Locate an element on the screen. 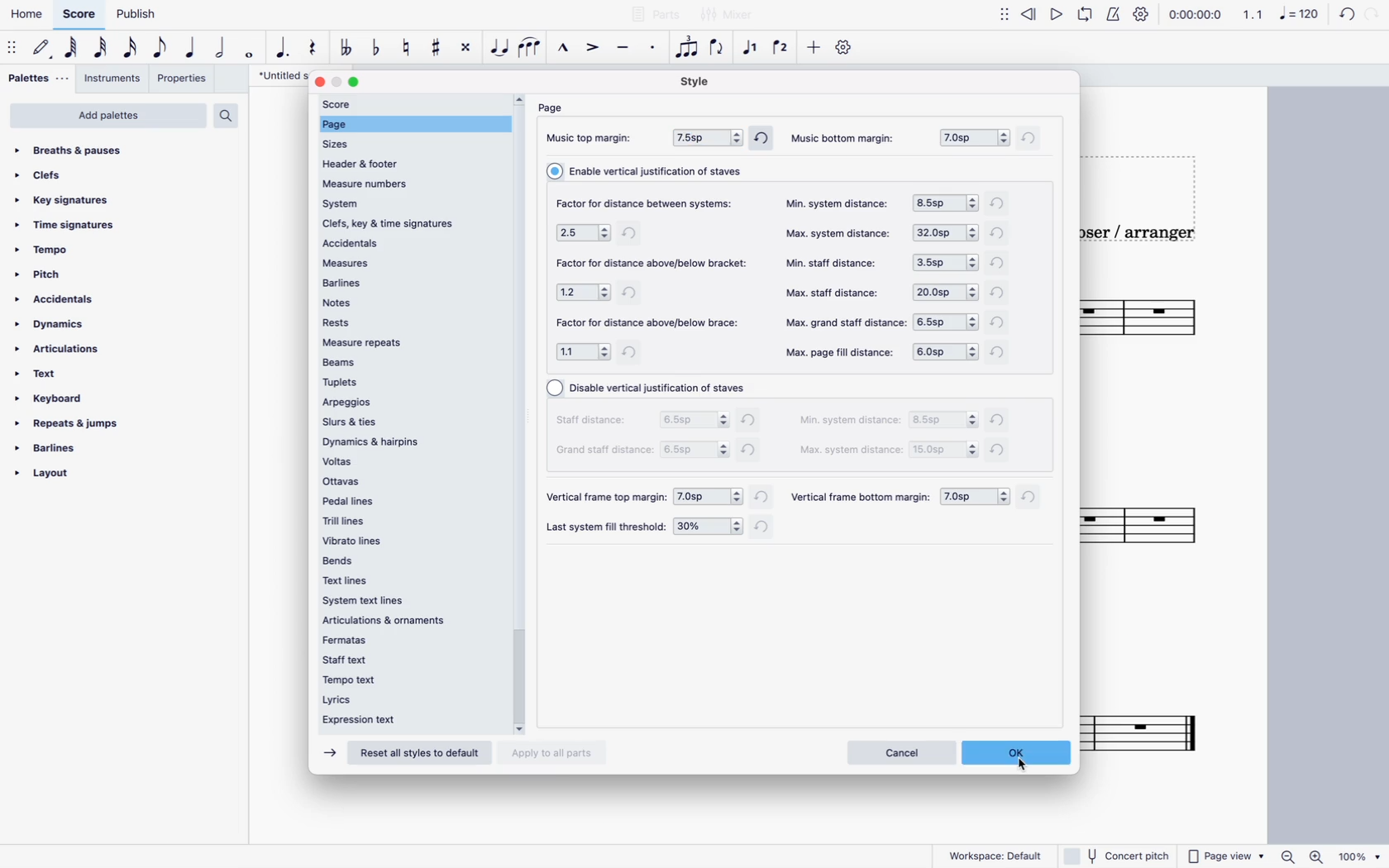 Image resolution: width=1389 pixels, height=868 pixels. keyboard is located at coordinates (51, 398).